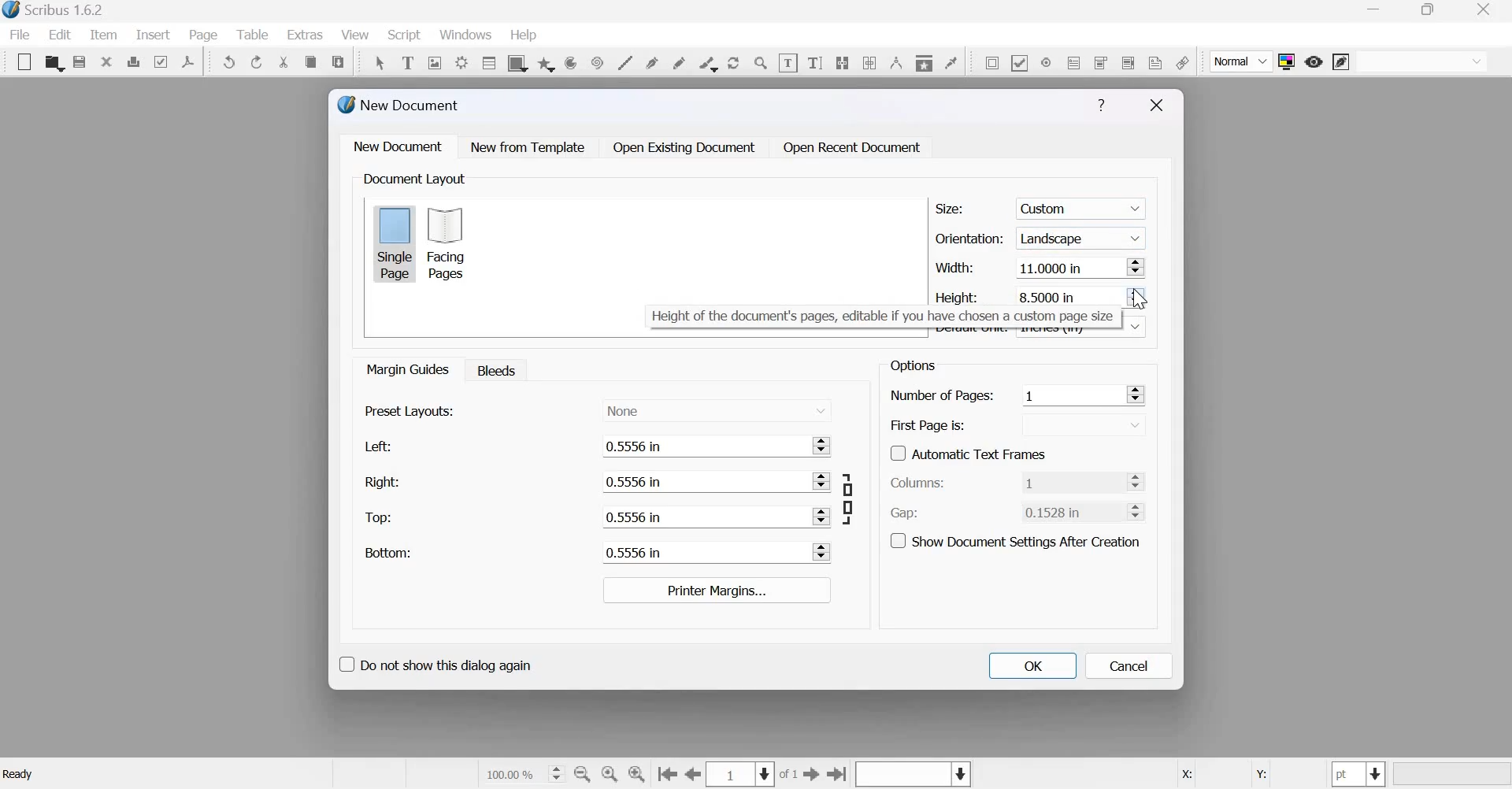 This screenshot has height=789, width=1512. What do you see at coordinates (1341, 63) in the screenshot?
I see `edit in preview mode` at bounding box center [1341, 63].